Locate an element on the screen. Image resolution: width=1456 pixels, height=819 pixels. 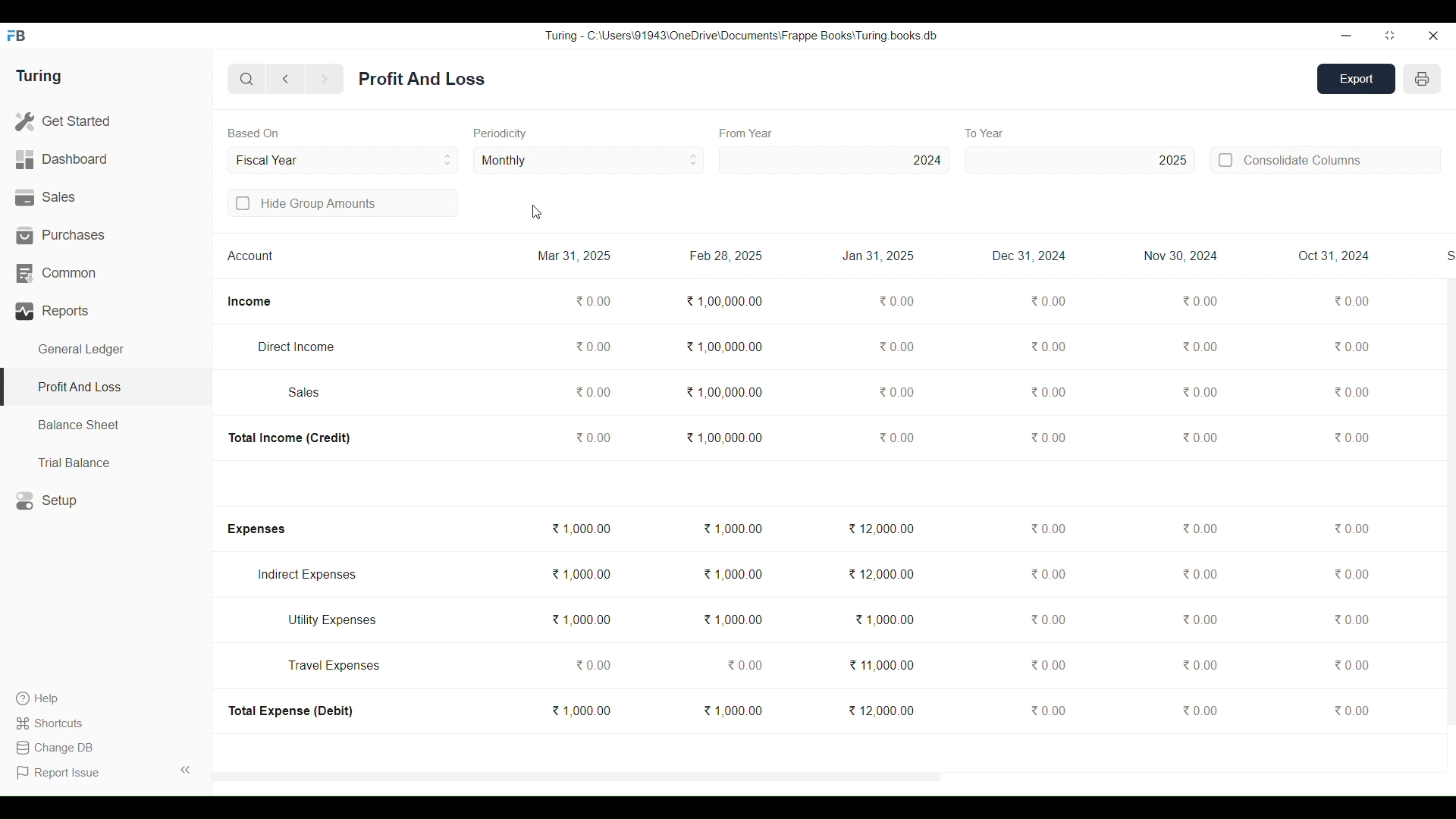
0.00 is located at coordinates (1200, 300).